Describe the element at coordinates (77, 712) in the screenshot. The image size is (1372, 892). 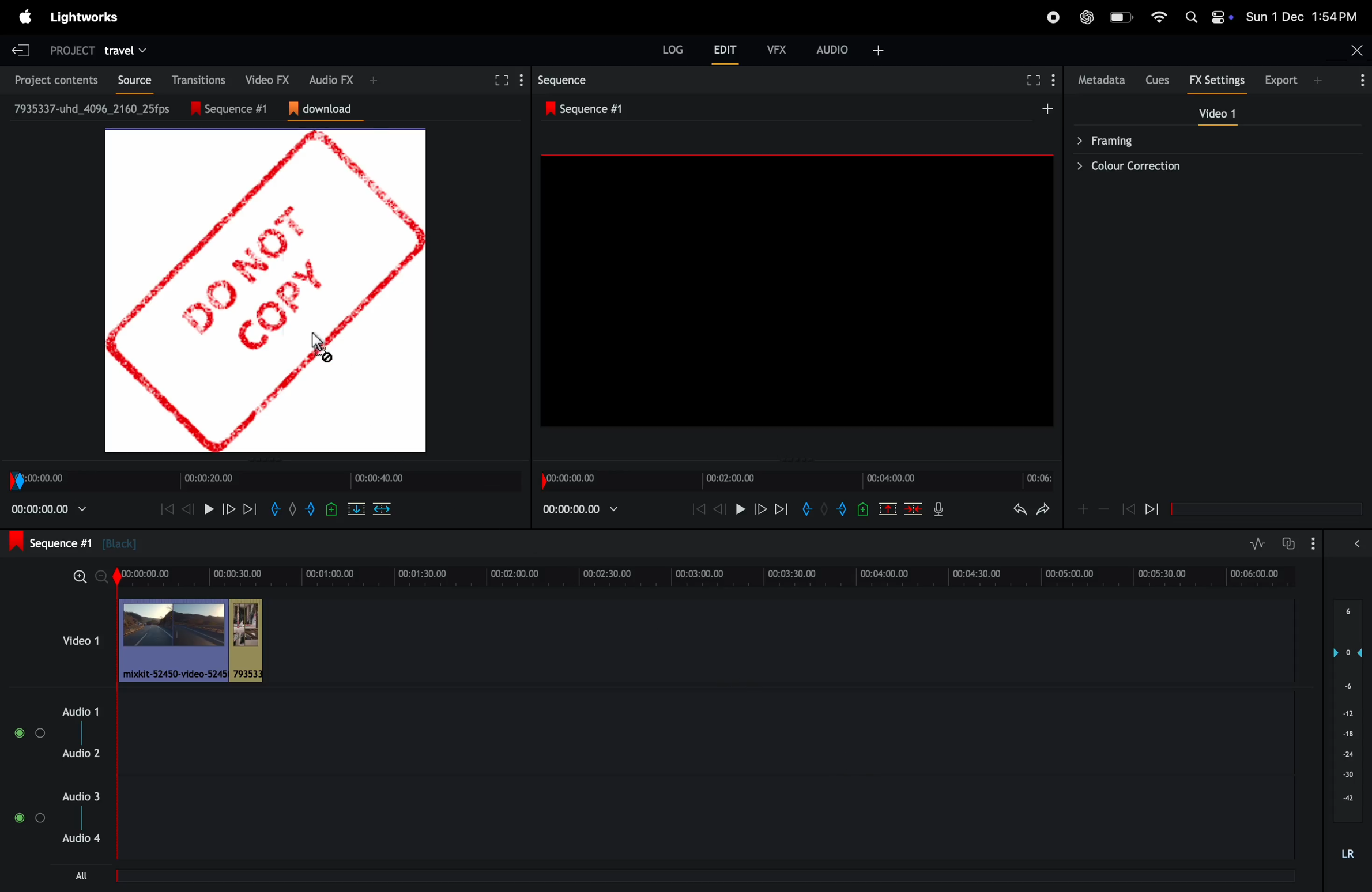
I see `audio 1` at that location.